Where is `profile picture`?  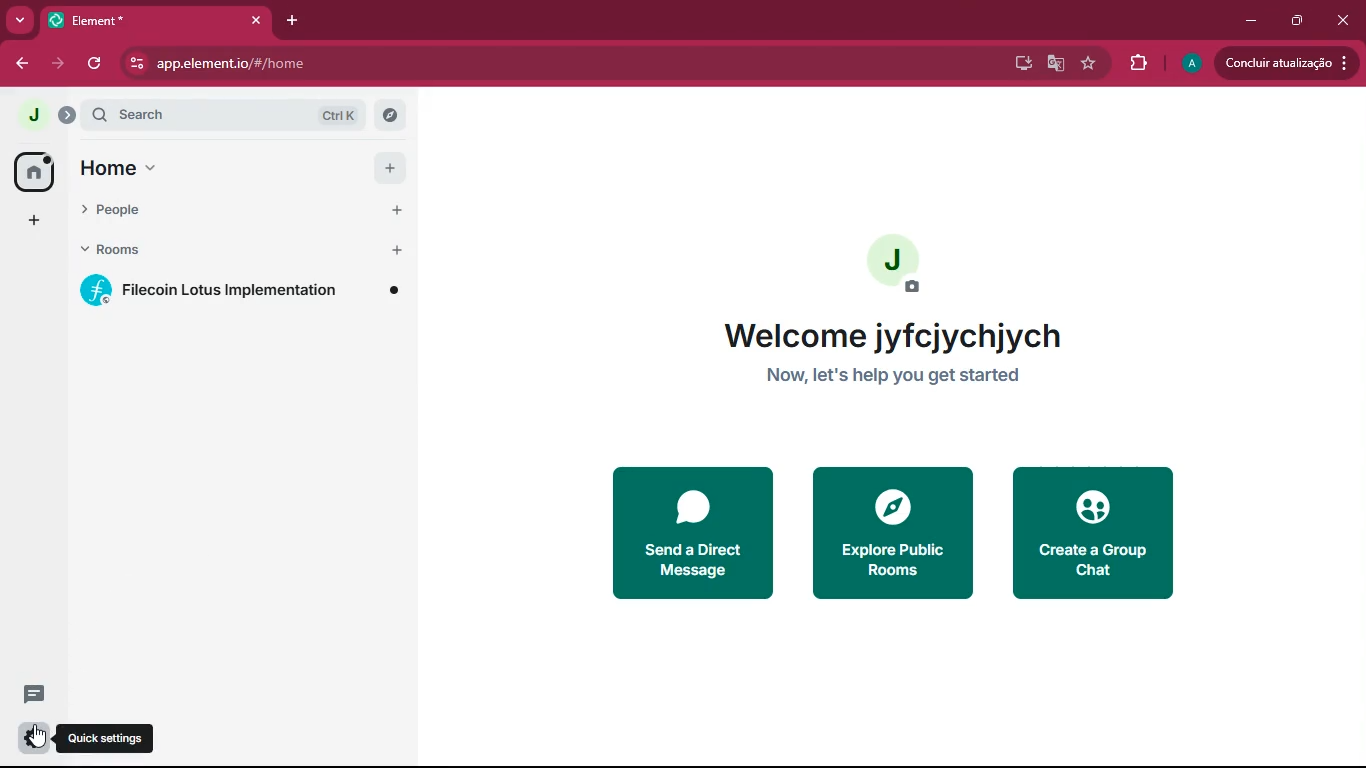
profile picture is located at coordinates (36, 116).